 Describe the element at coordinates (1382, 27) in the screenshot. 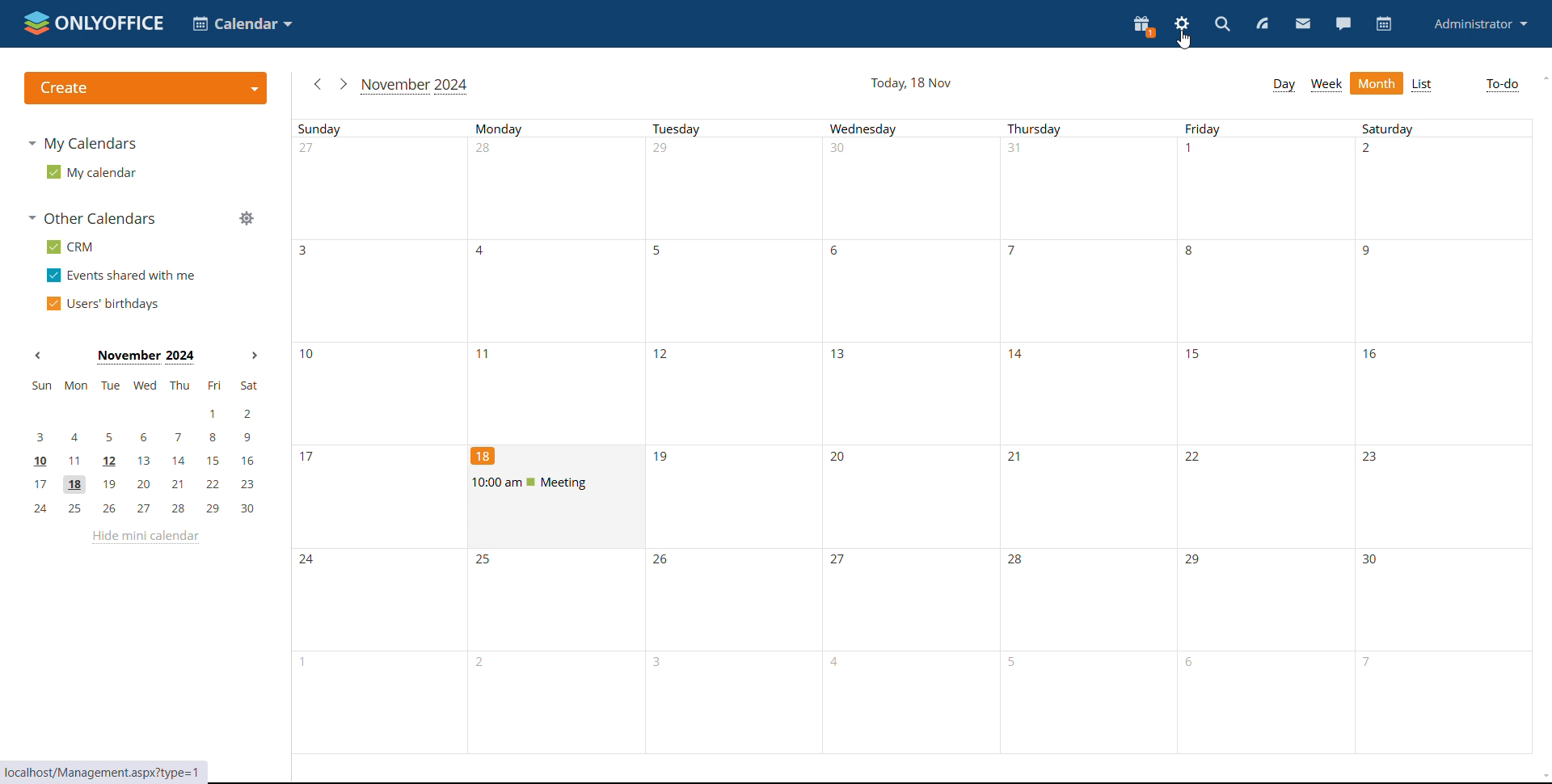

I see `calendar` at that location.